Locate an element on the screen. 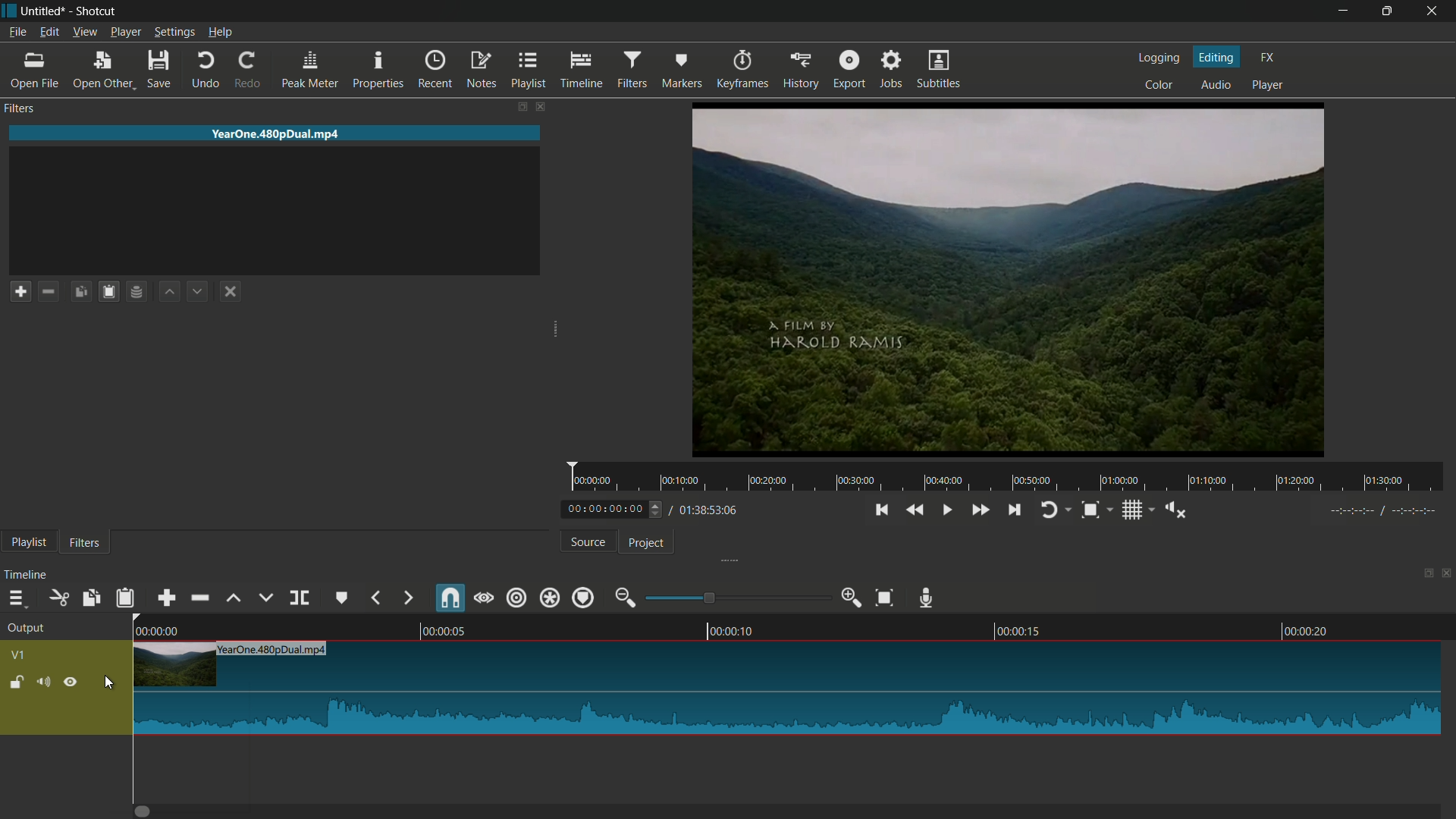  total time is located at coordinates (707, 510).